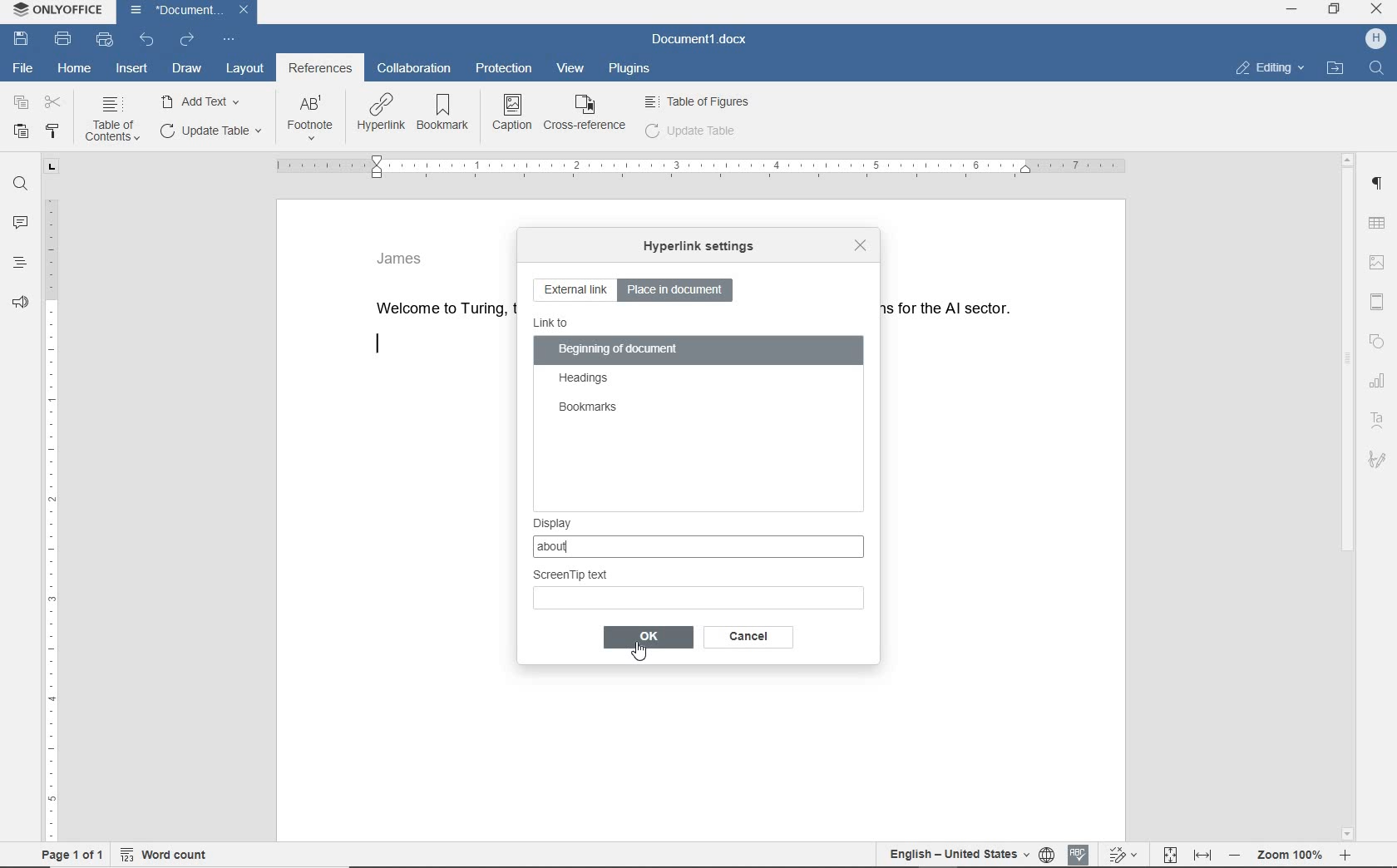 This screenshot has height=868, width=1397. What do you see at coordinates (67, 856) in the screenshot?
I see `Page 1 of 1` at bounding box center [67, 856].